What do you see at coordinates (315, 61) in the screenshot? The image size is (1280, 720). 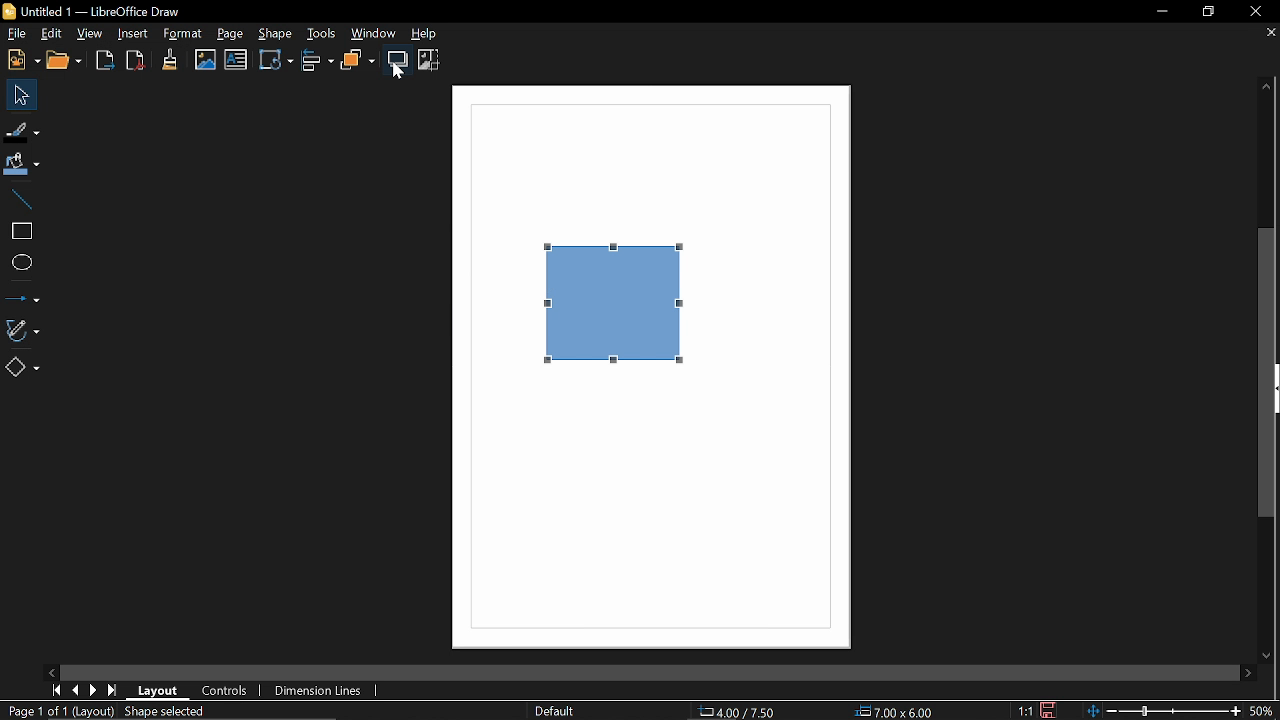 I see `Align` at bounding box center [315, 61].